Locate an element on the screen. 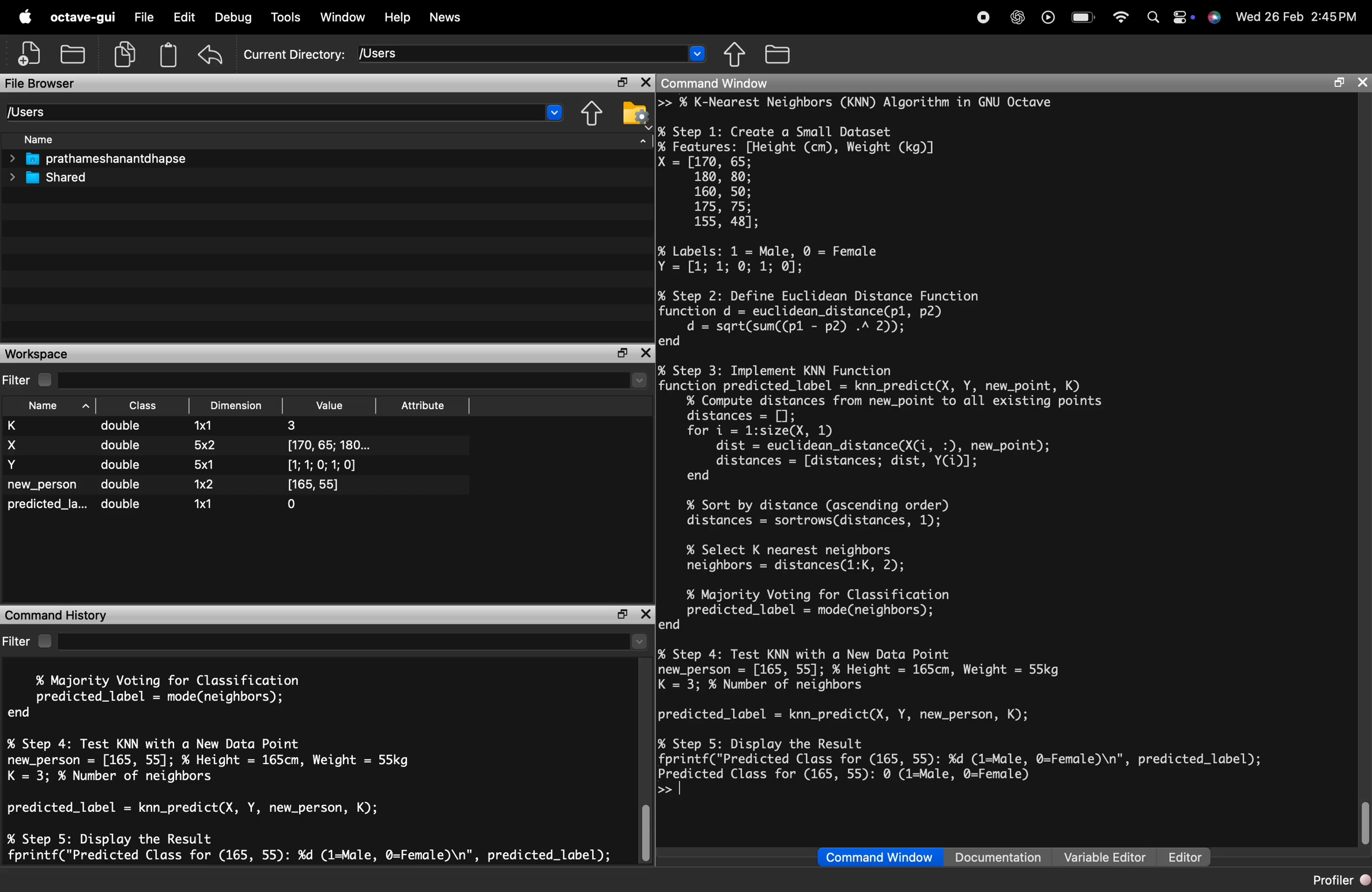 This screenshot has height=892, width=1372. Value is located at coordinates (332, 404).